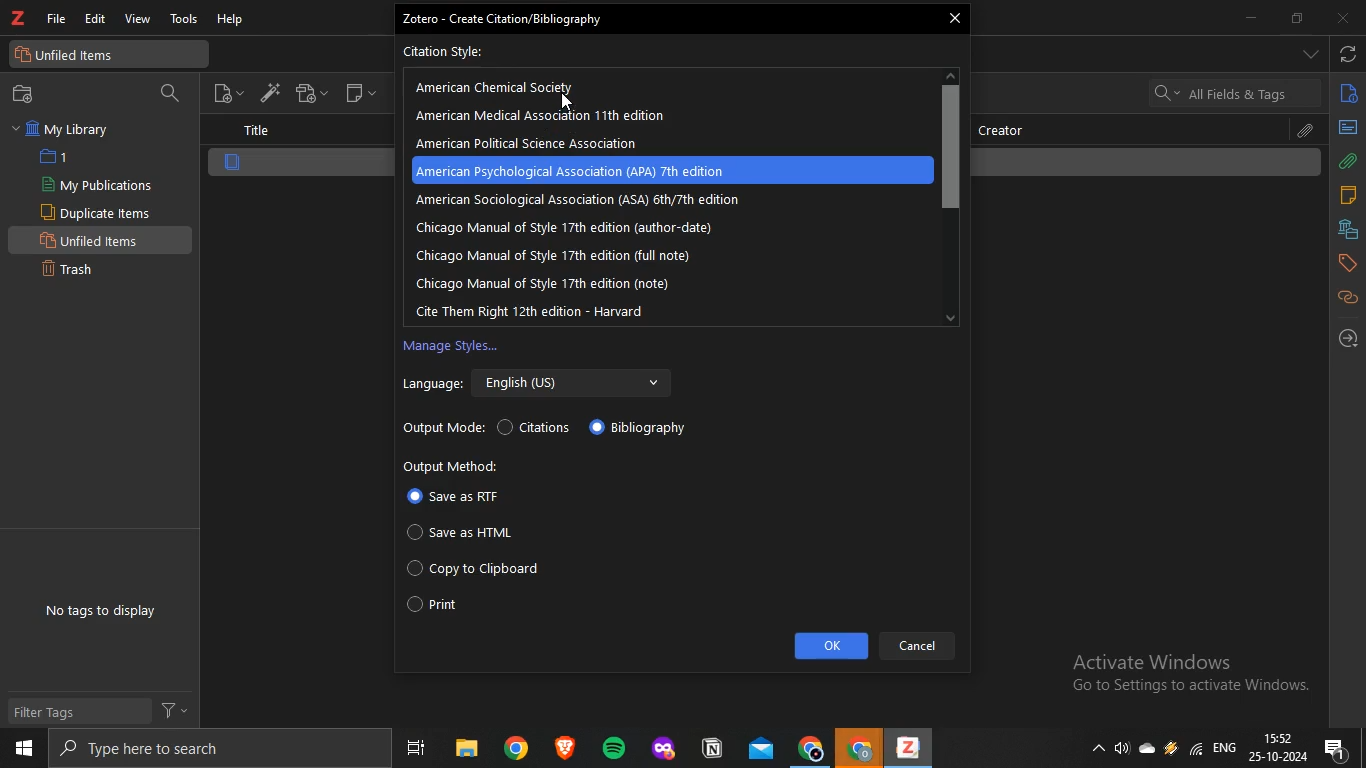 The image size is (1366, 768). What do you see at coordinates (313, 93) in the screenshot?
I see `add attachment` at bounding box center [313, 93].